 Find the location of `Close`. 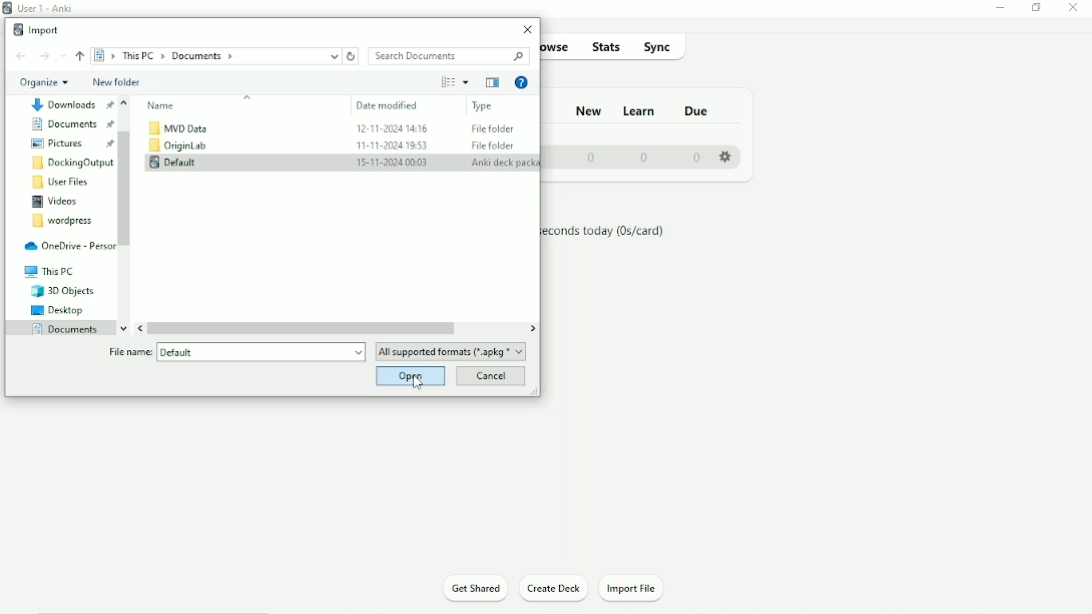

Close is located at coordinates (528, 29).